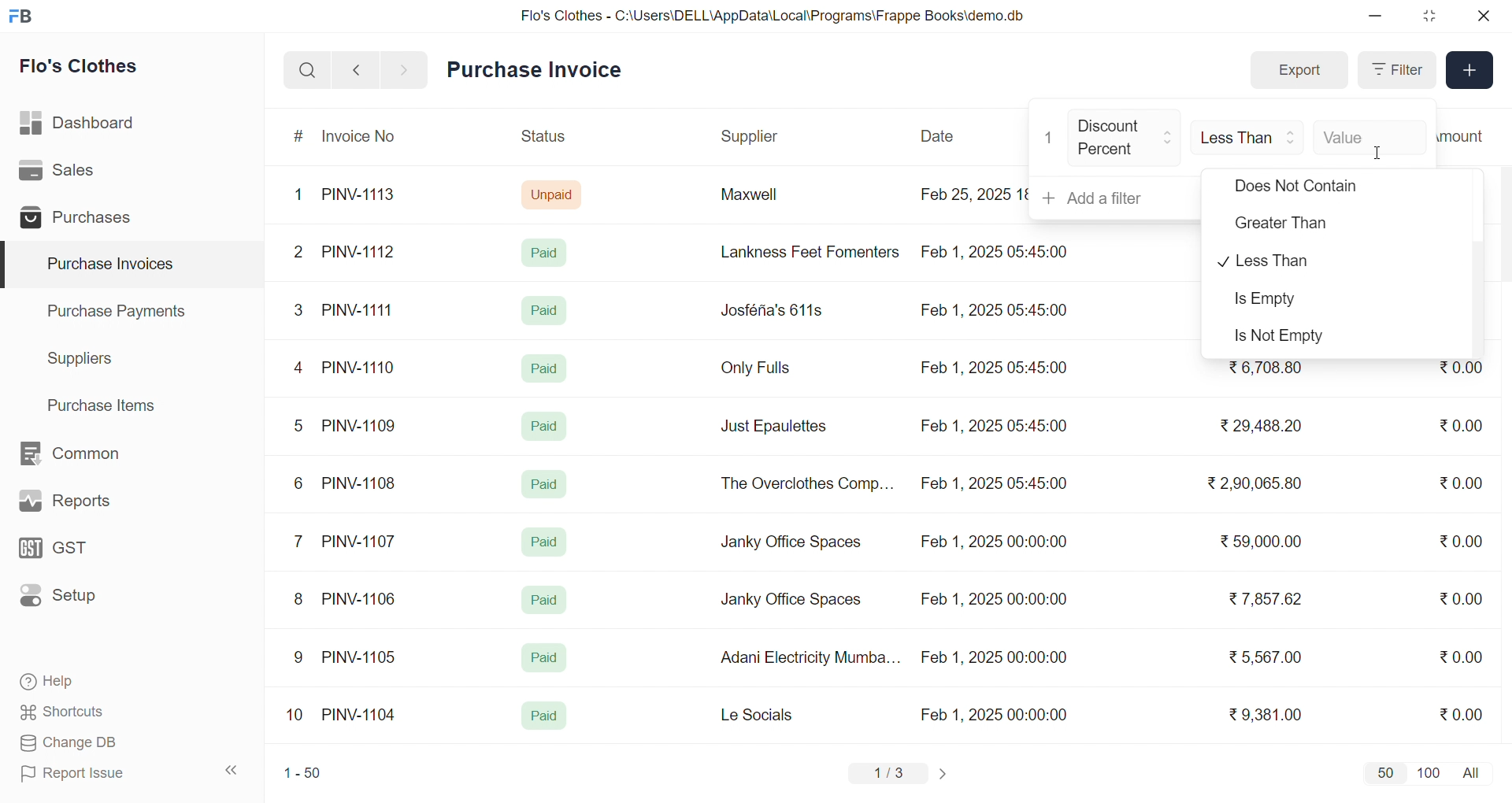 The width and height of the screenshot is (1512, 803). Describe the element at coordinates (99, 712) in the screenshot. I see `Shortcuts` at that location.